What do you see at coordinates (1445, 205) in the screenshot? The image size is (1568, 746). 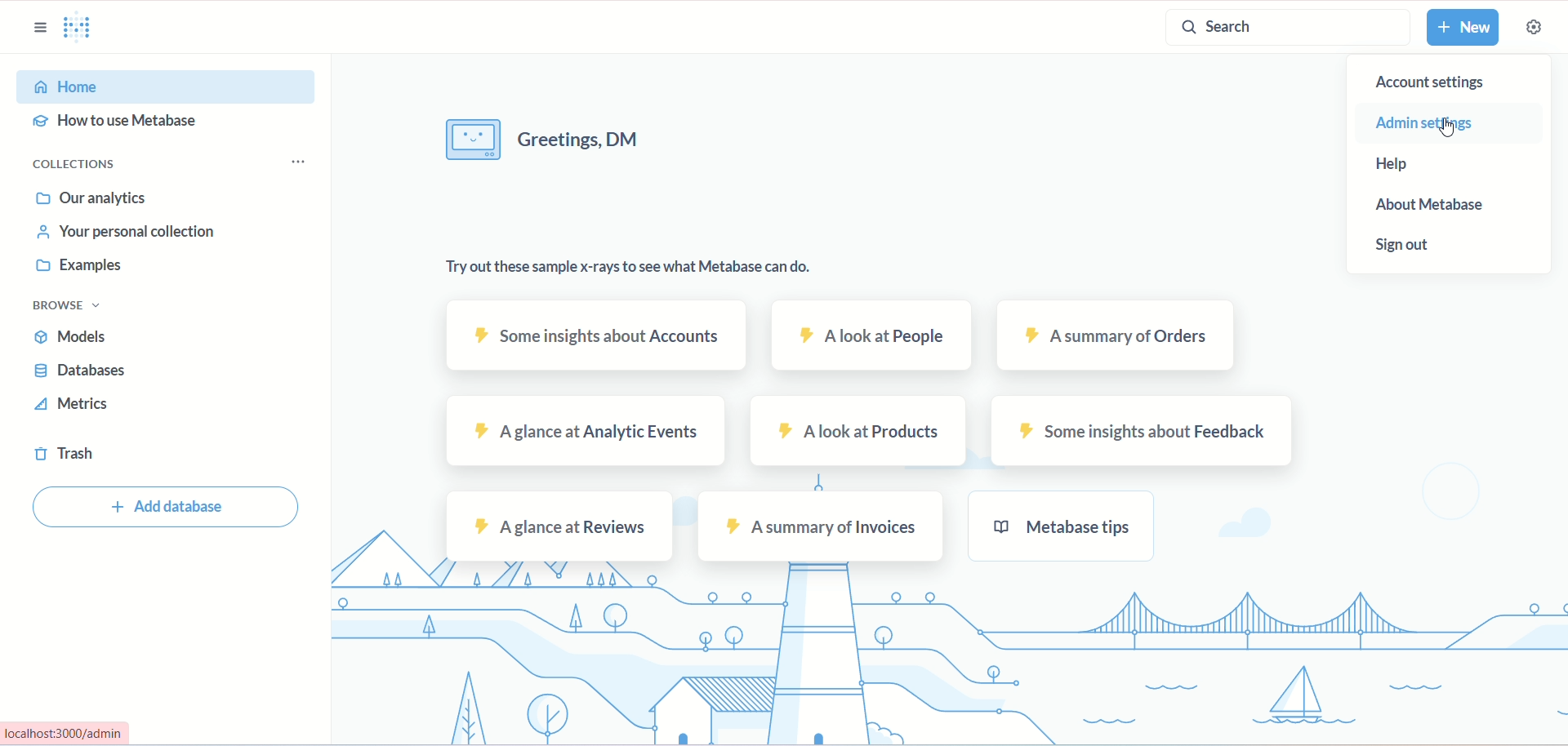 I see `about metabase` at bounding box center [1445, 205].